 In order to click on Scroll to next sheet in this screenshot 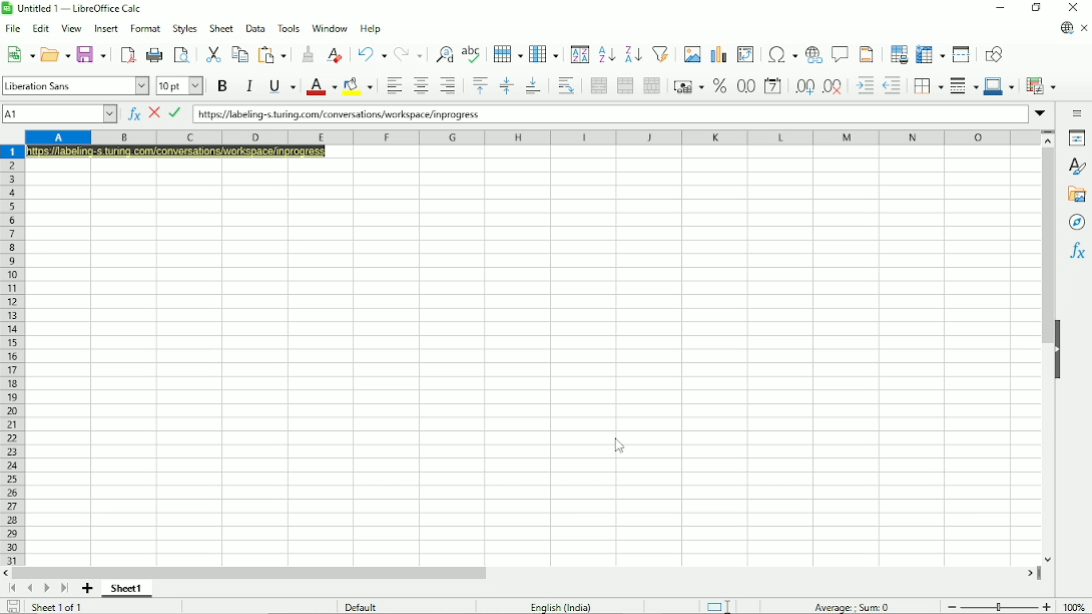, I will do `click(46, 590)`.